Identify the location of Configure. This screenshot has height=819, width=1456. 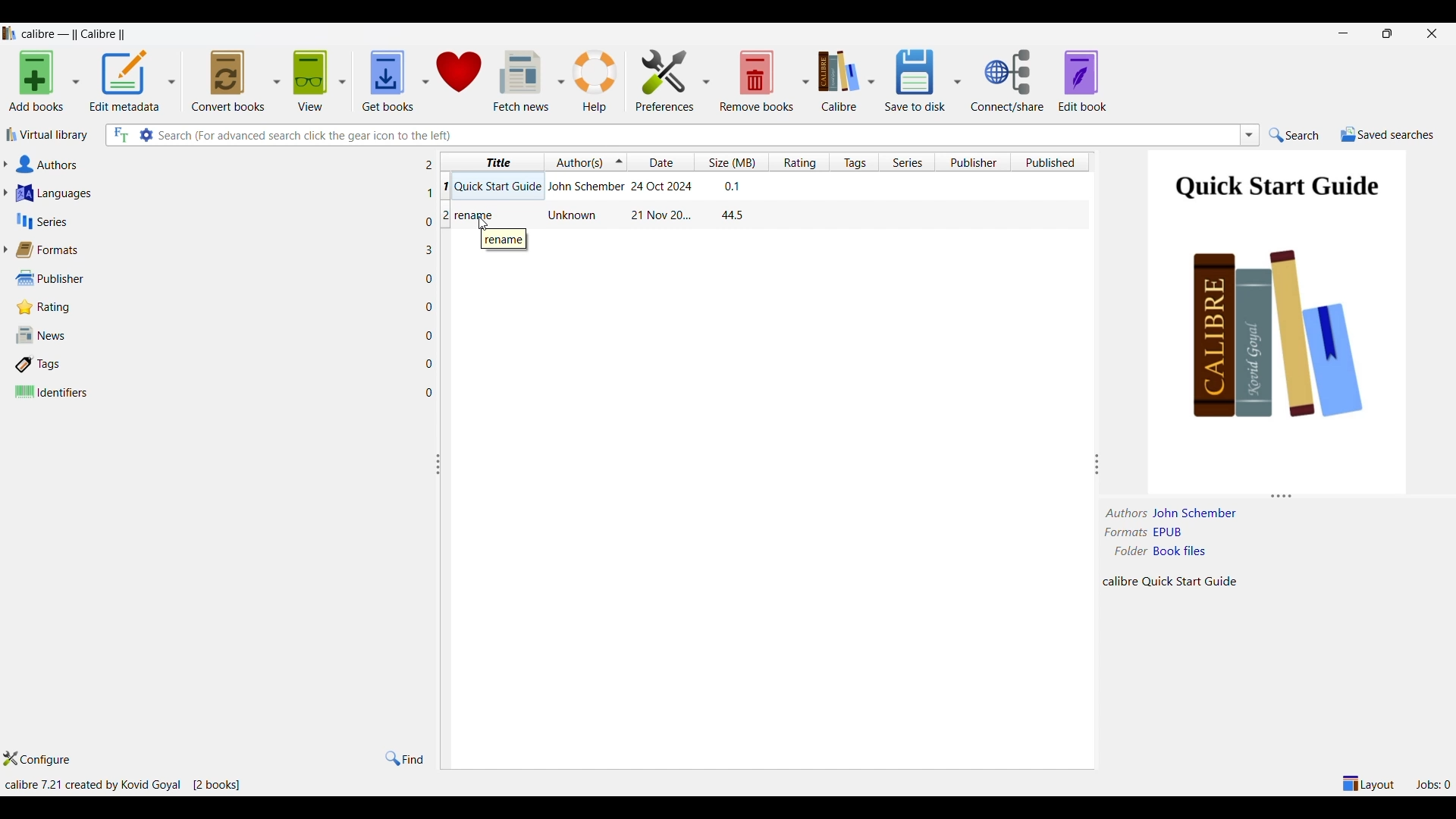
(37, 759).